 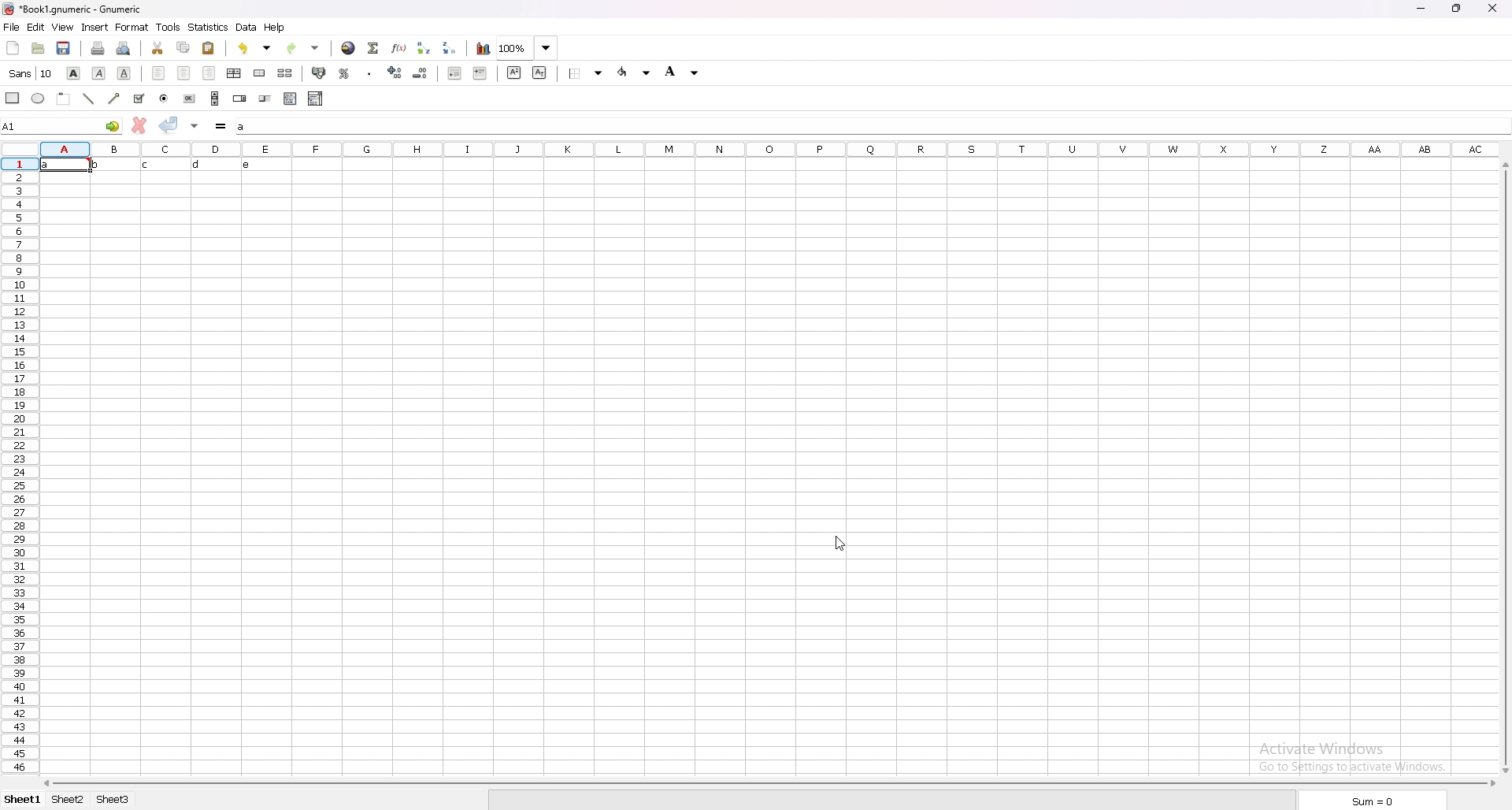 What do you see at coordinates (635, 72) in the screenshot?
I see `foreground` at bounding box center [635, 72].